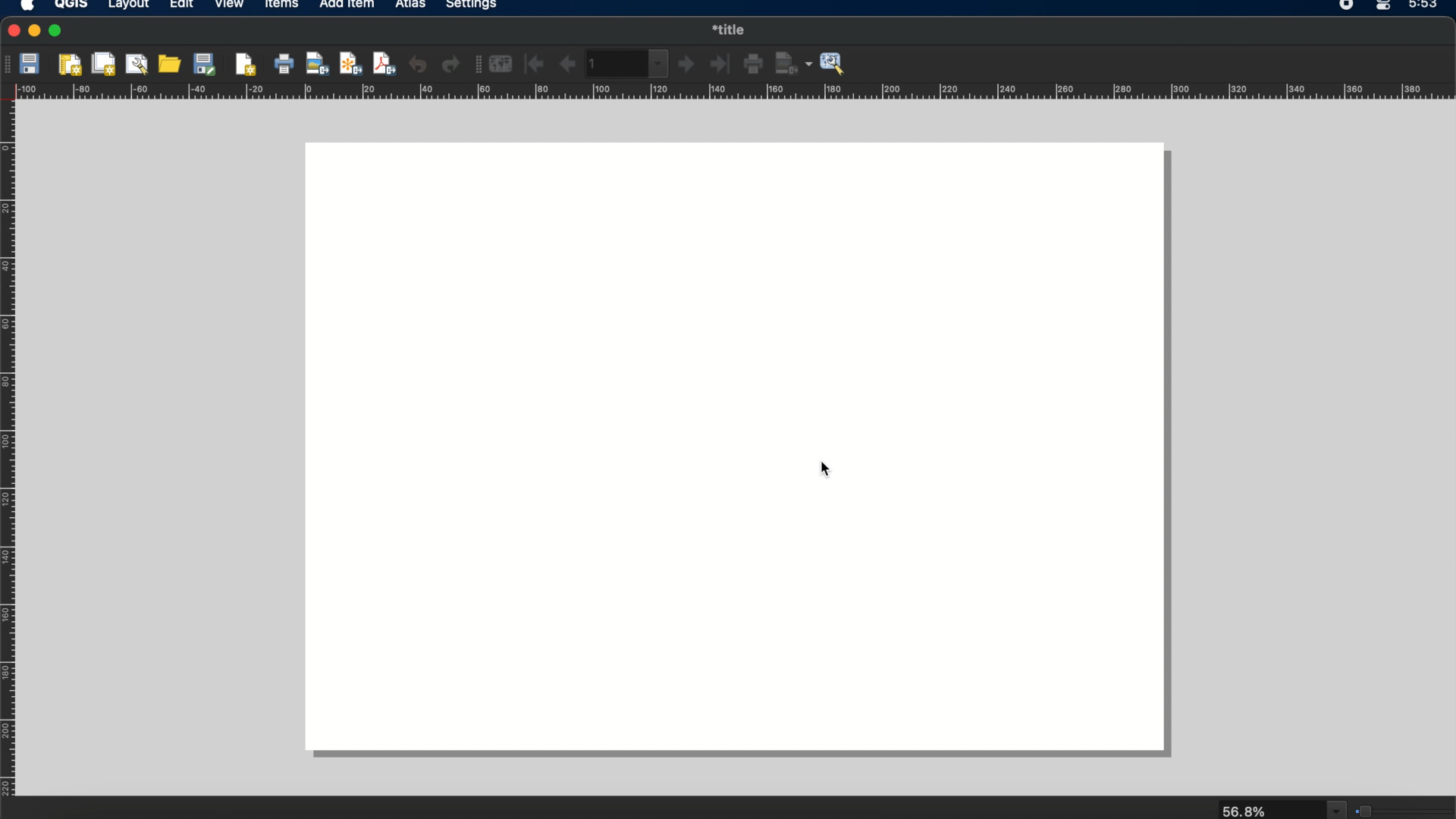 The height and width of the screenshot is (819, 1456). What do you see at coordinates (453, 64) in the screenshot?
I see `redo` at bounding box center [453, 64].